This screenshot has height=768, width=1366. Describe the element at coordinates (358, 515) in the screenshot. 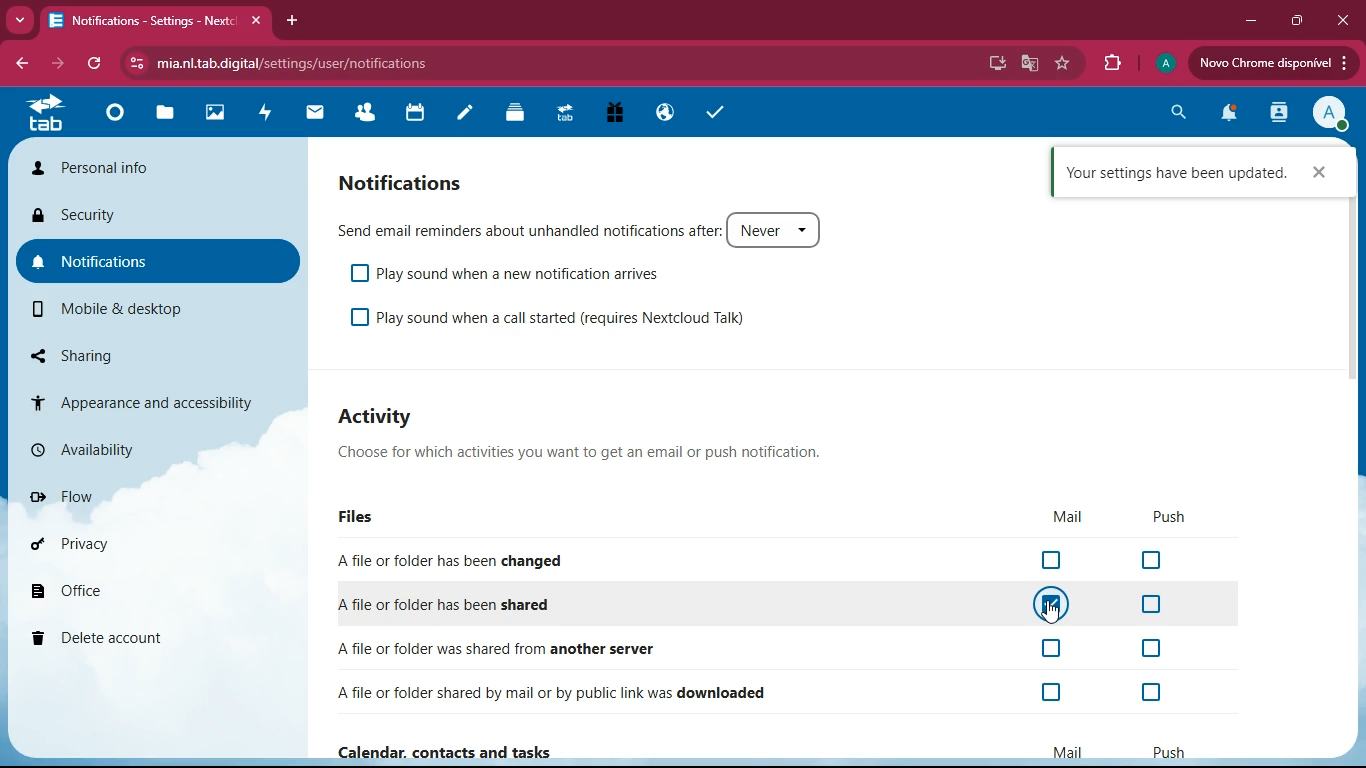

I see `files` at that location.